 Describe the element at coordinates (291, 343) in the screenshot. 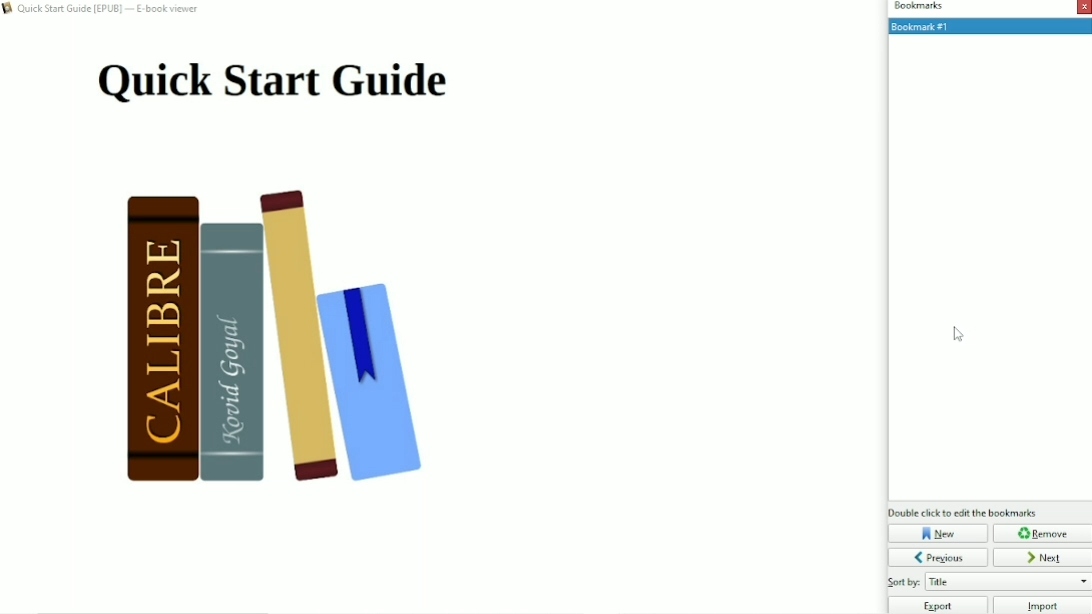

I see `Book` at that location.